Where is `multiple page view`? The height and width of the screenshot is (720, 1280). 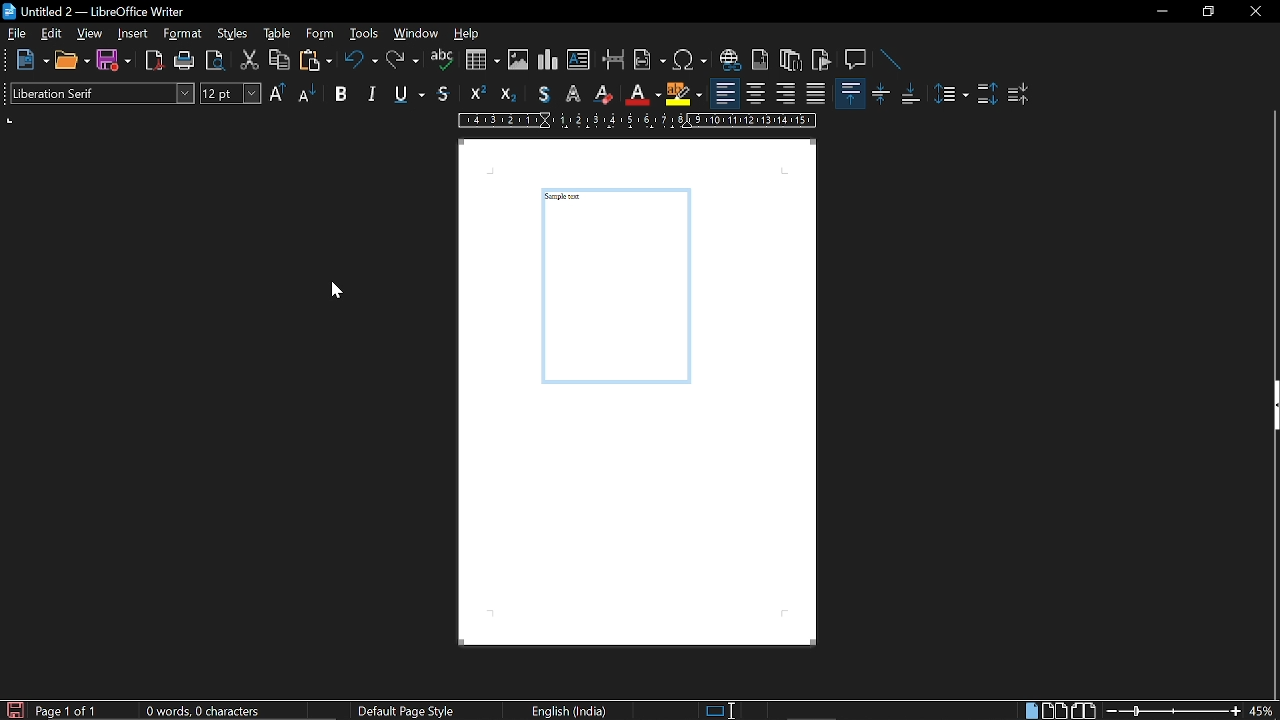 multiple page view is located at coordinates (1054, 711).